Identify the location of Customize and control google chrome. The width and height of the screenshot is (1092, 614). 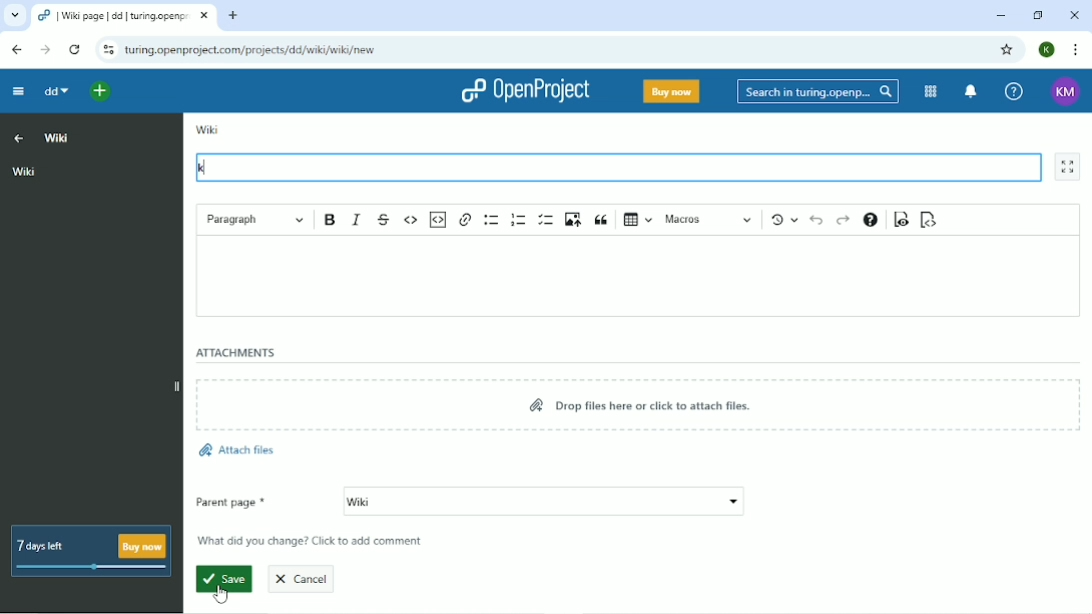
(1074, 50).